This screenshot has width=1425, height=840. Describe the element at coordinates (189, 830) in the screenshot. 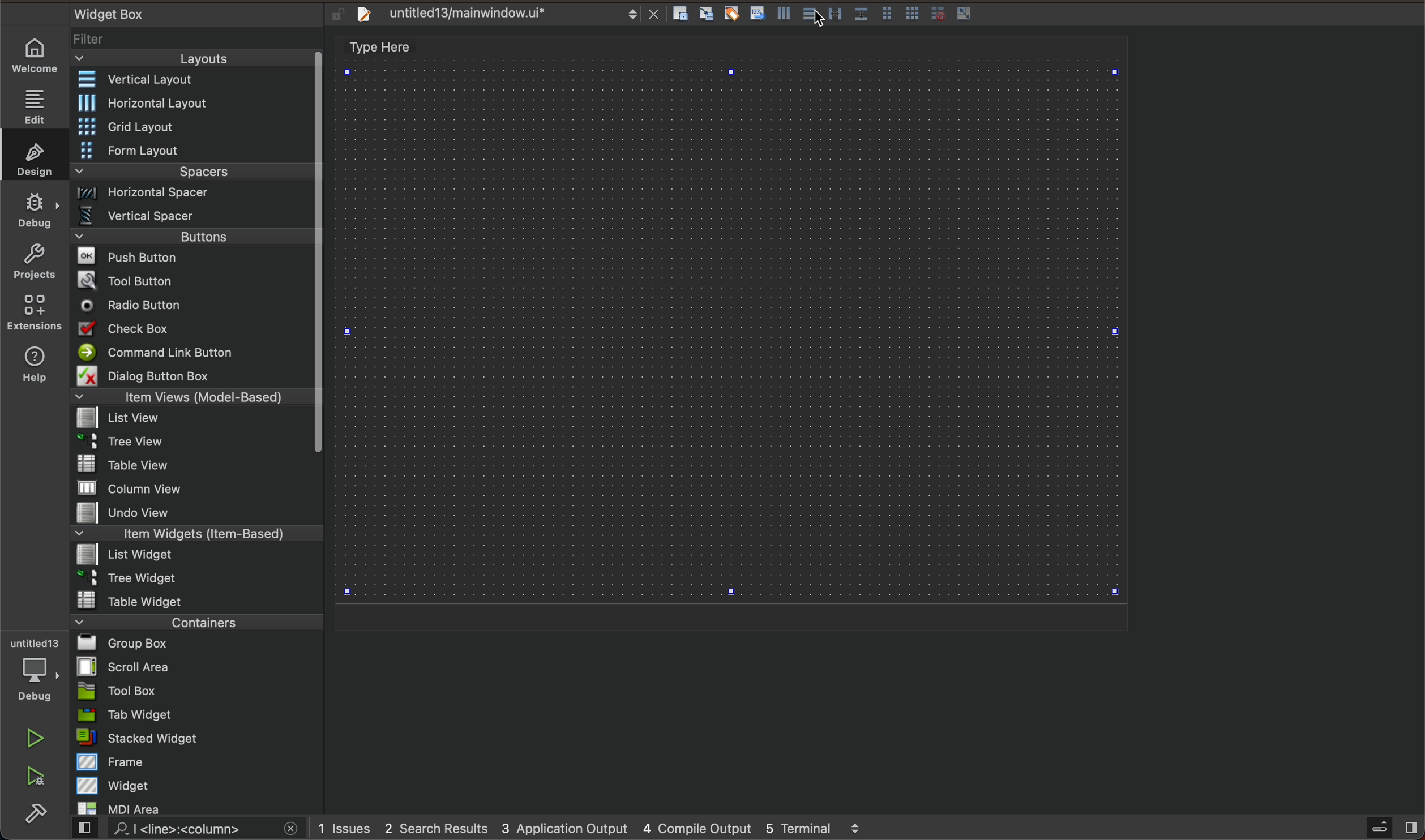

I see `search` at that location.